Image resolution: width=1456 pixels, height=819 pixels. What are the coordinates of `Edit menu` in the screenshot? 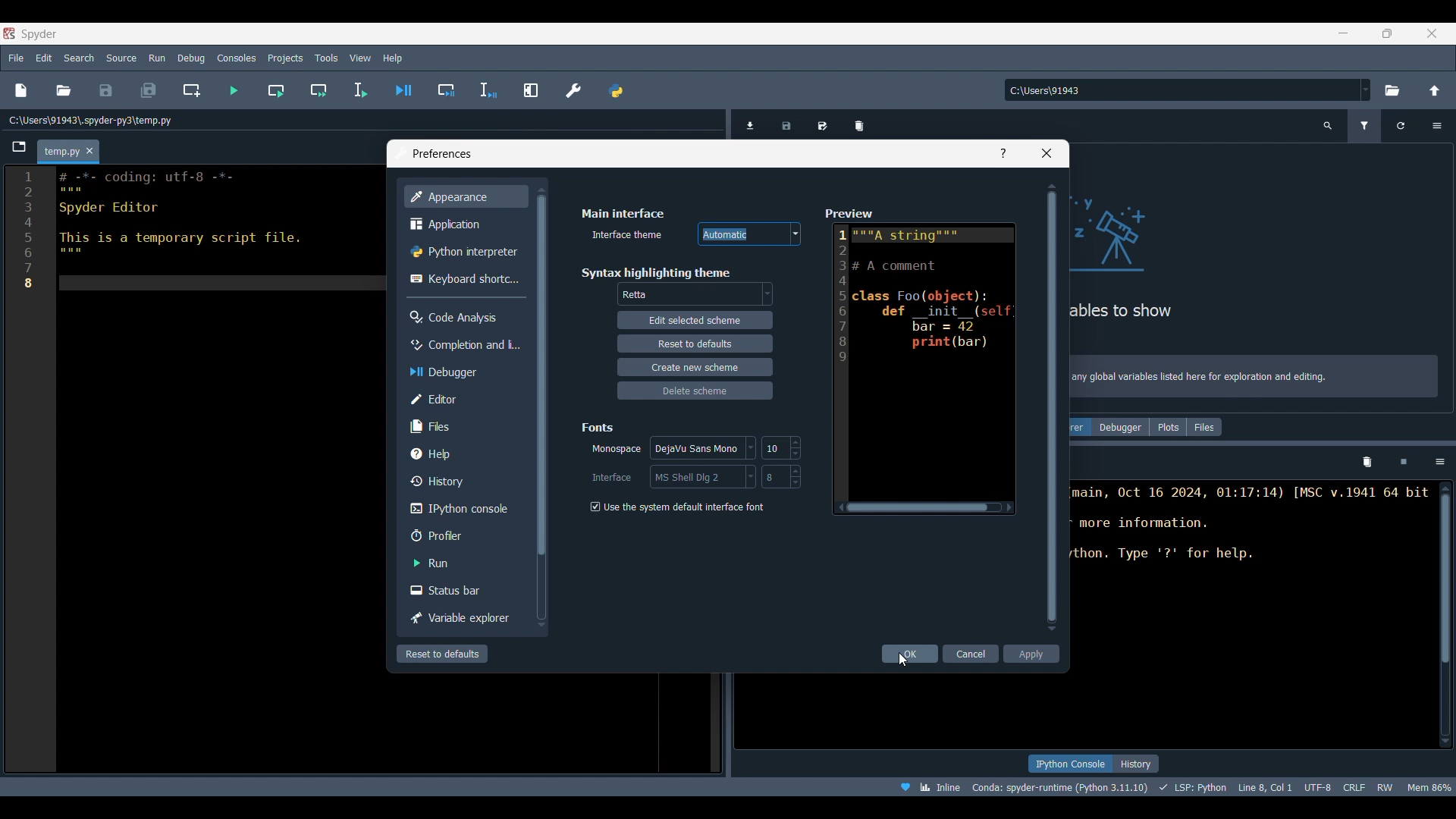 It's located at (43, 58).